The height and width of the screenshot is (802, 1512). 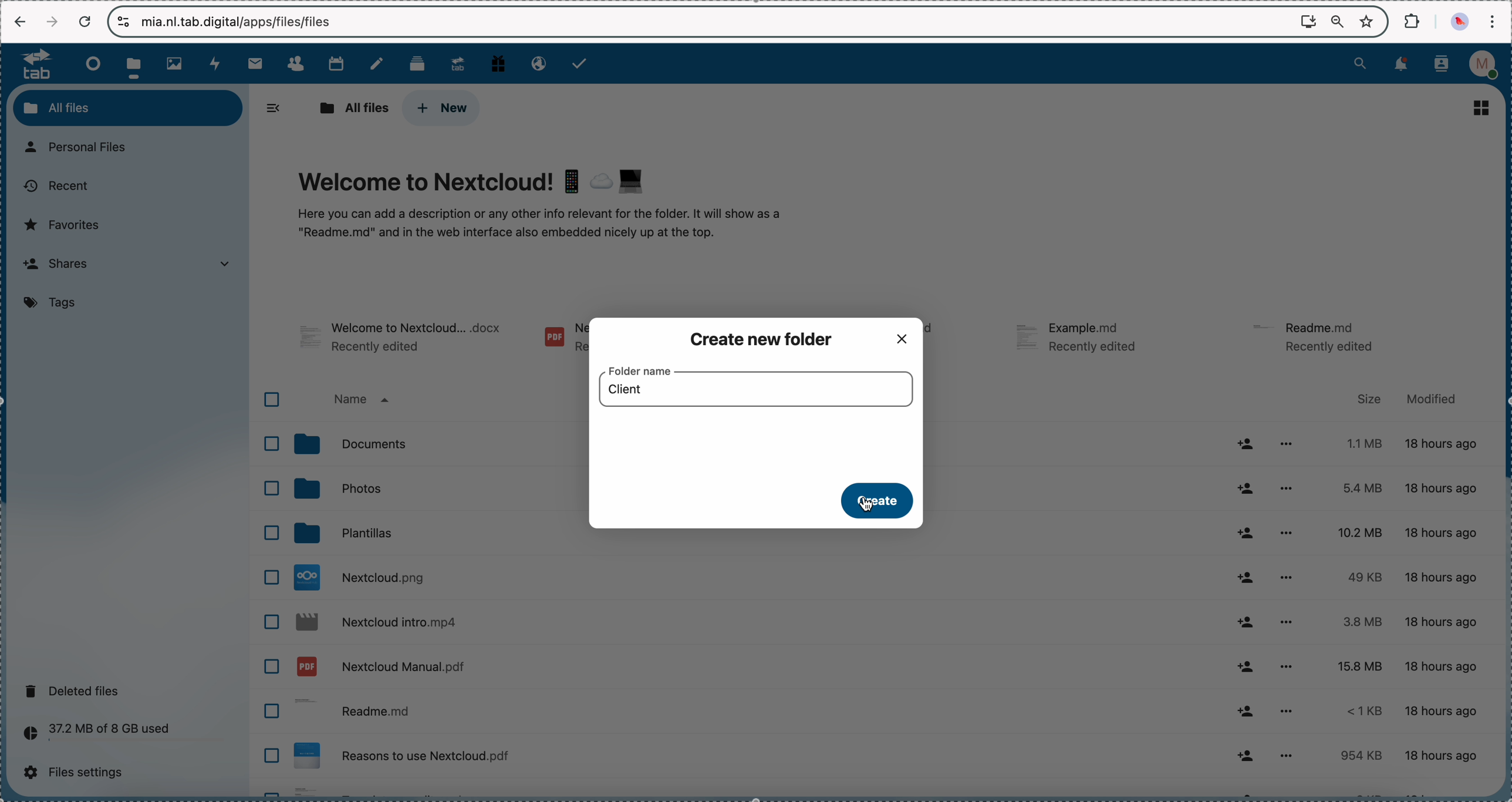 What do you see at coordinates (626, 387) in the screenshot?
I see `client folder name` at bounding box center [626, 387].